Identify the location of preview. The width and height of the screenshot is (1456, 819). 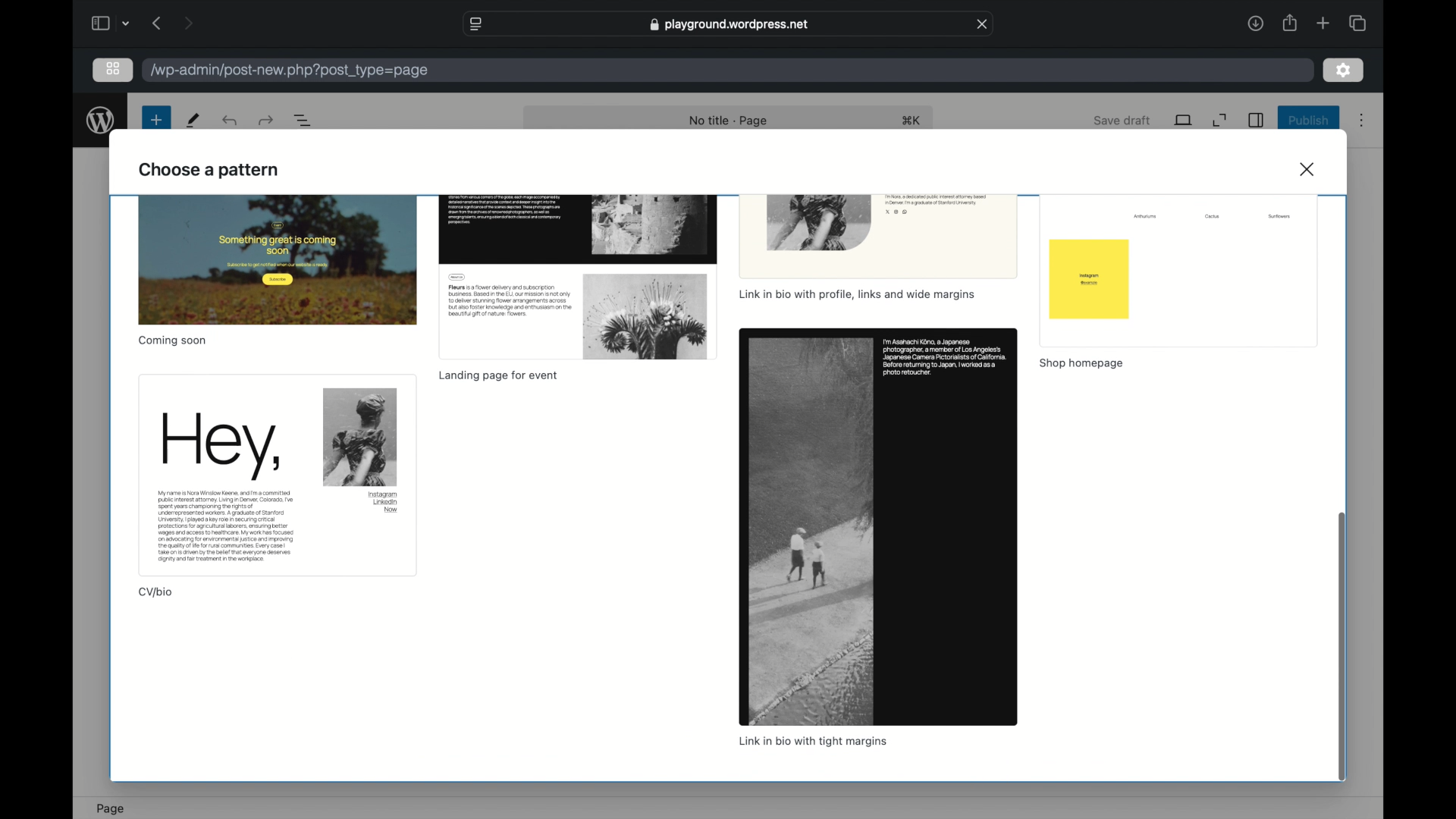
(577, 278).